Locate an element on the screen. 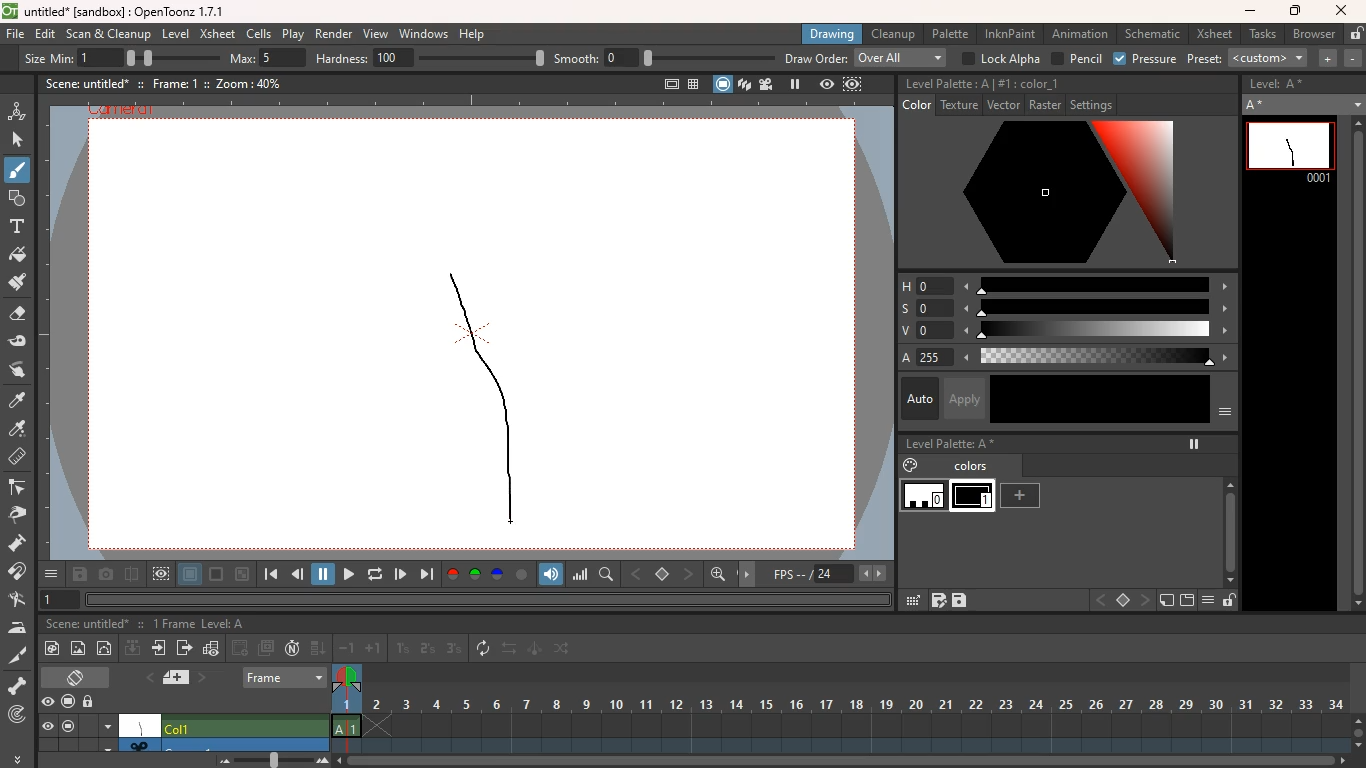 Image resolution: width=1366 pixels, height=768 pixels. paint is located at coordinates (908, 466).